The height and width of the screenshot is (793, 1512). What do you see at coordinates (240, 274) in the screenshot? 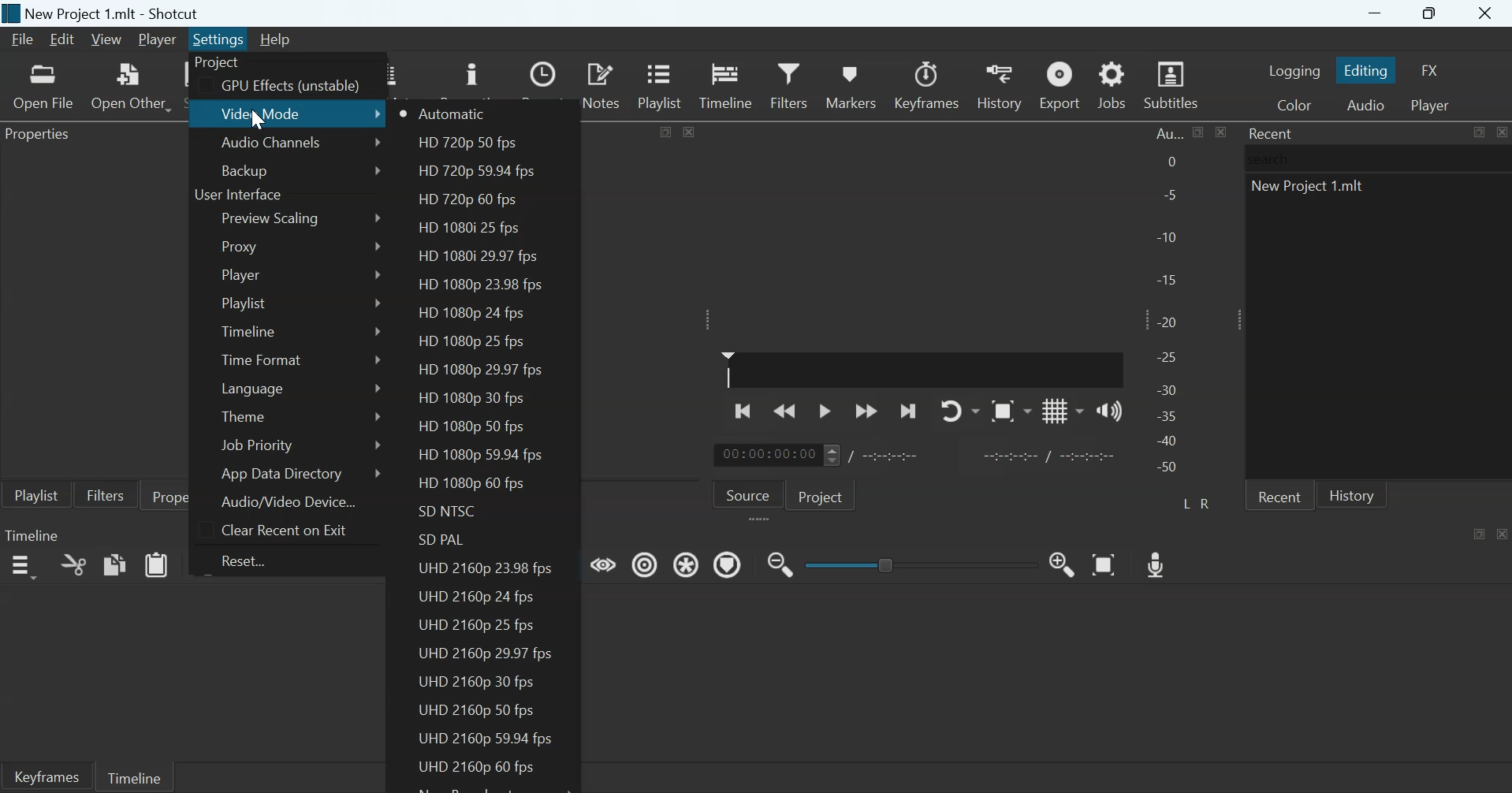
I see `Player` at bounding box center [240, 274].